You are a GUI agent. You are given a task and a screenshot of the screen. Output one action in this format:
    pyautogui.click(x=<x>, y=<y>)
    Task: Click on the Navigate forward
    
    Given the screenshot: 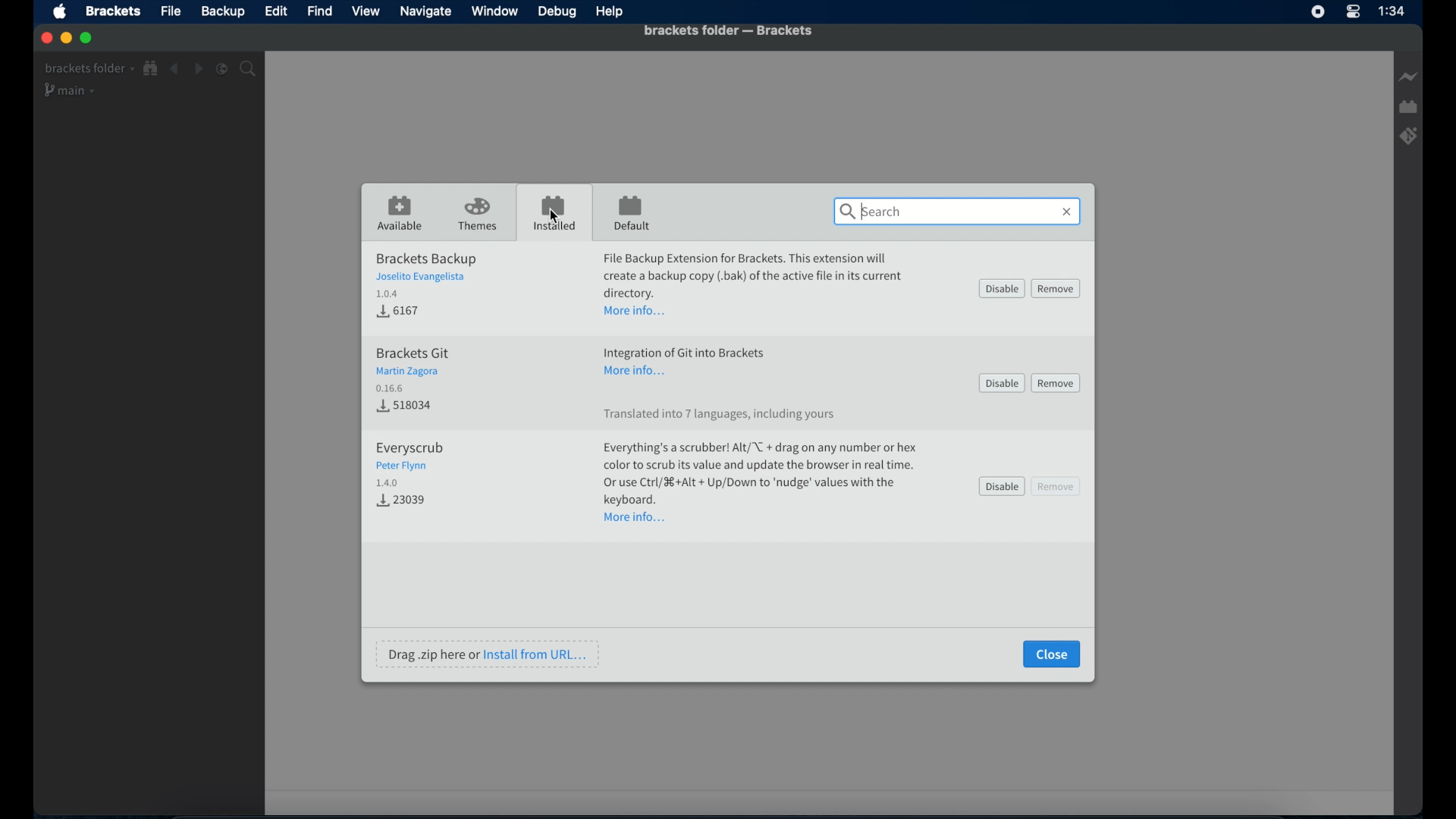 What is the action you would take?
    pyautogui.click(x=198, y=69)
    